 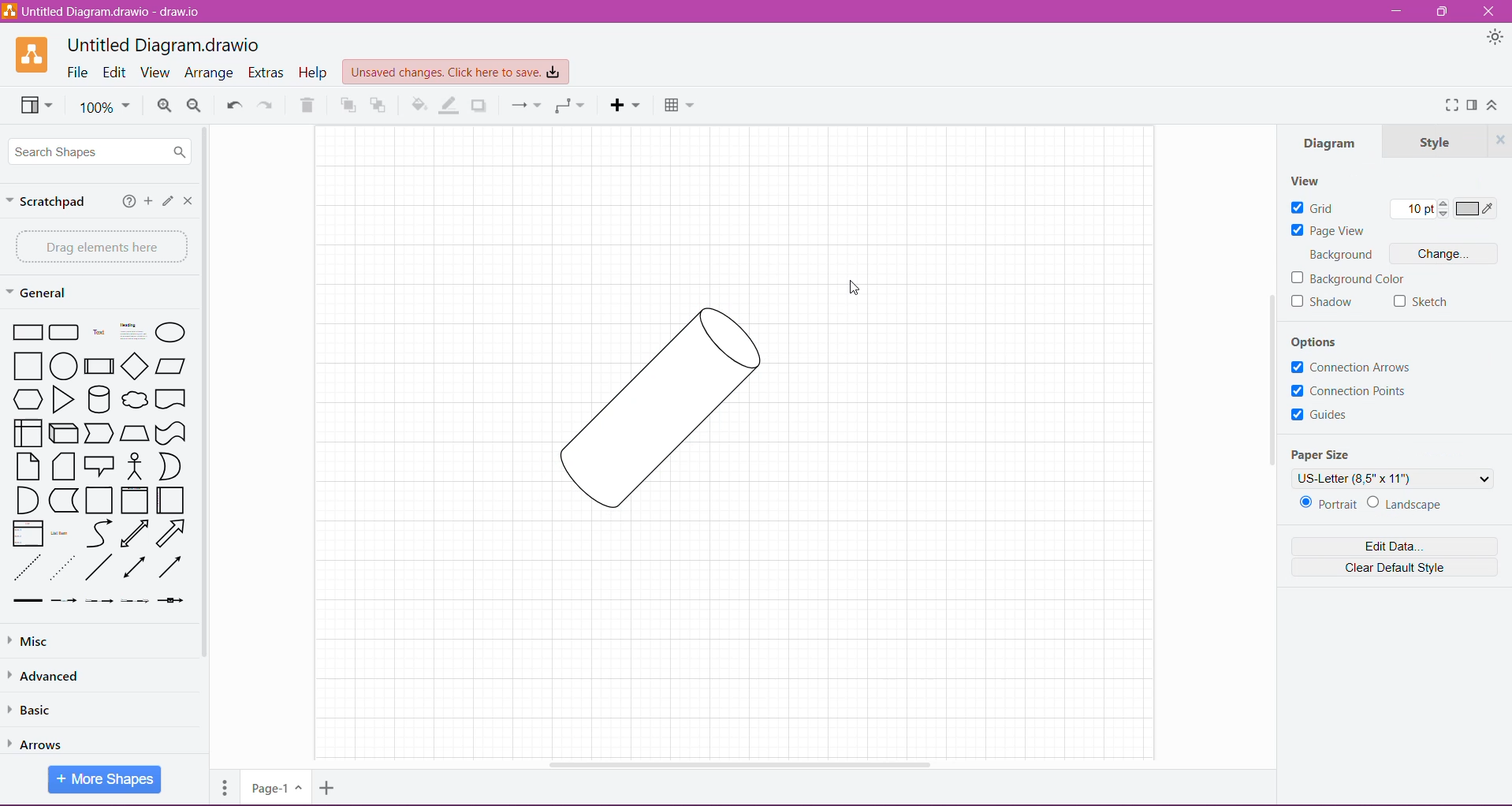 What do you see at coordinates (162, 43) in the screenshot?
I see `Untitled Diagram.draw.io - draw.io` at bounding box center [162, 43].